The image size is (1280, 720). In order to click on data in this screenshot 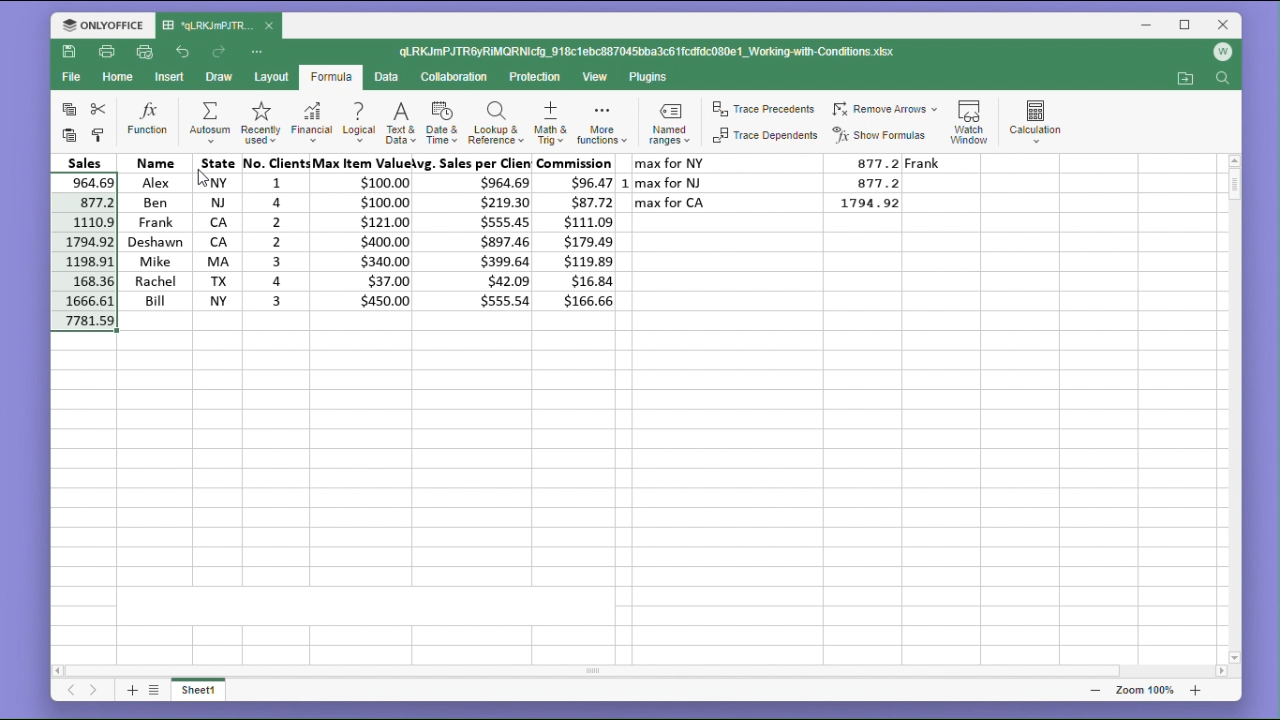, I will do `click(390, 77)`.